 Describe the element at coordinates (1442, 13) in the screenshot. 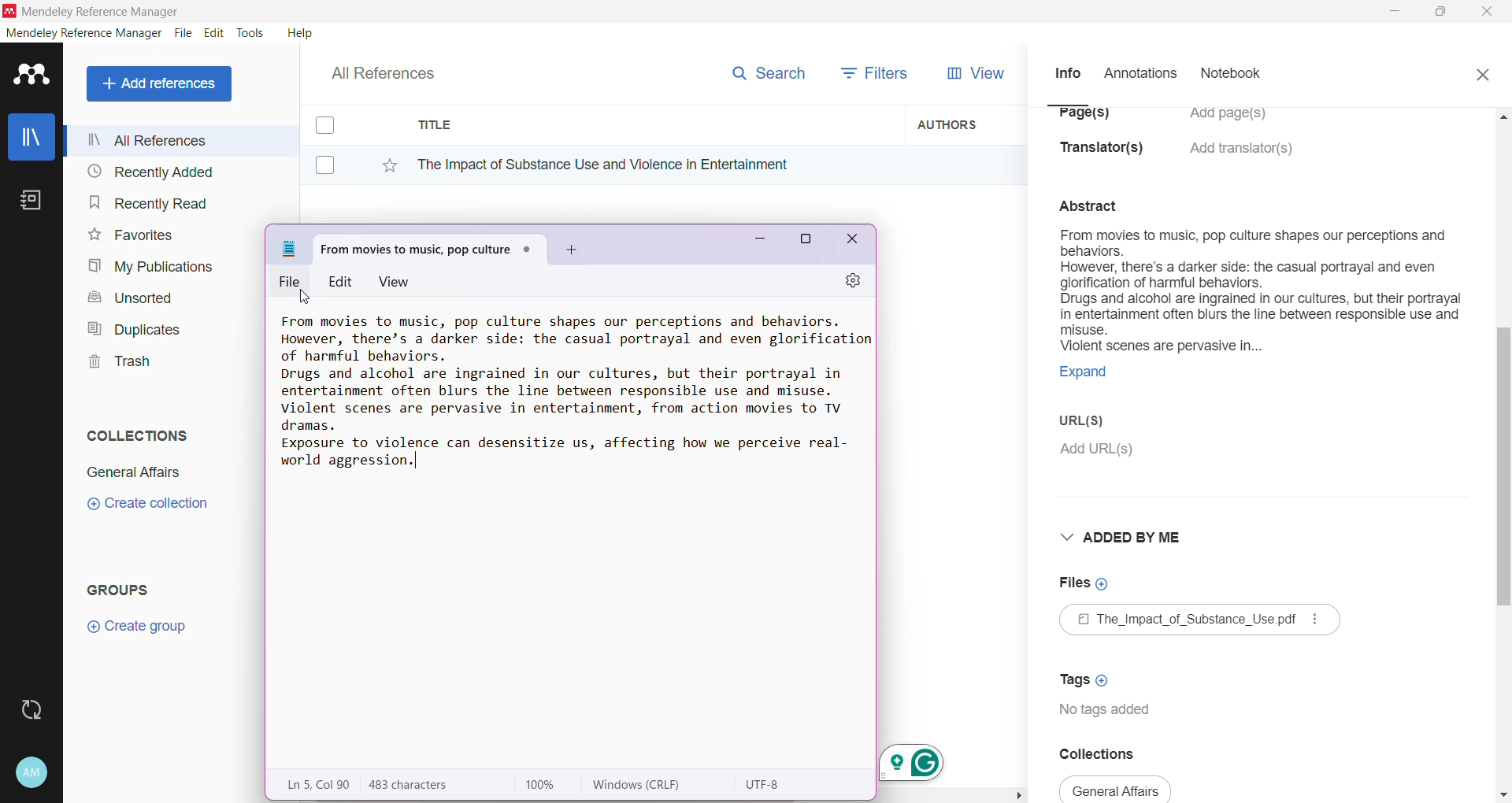

I see `Restore Down` at that location.